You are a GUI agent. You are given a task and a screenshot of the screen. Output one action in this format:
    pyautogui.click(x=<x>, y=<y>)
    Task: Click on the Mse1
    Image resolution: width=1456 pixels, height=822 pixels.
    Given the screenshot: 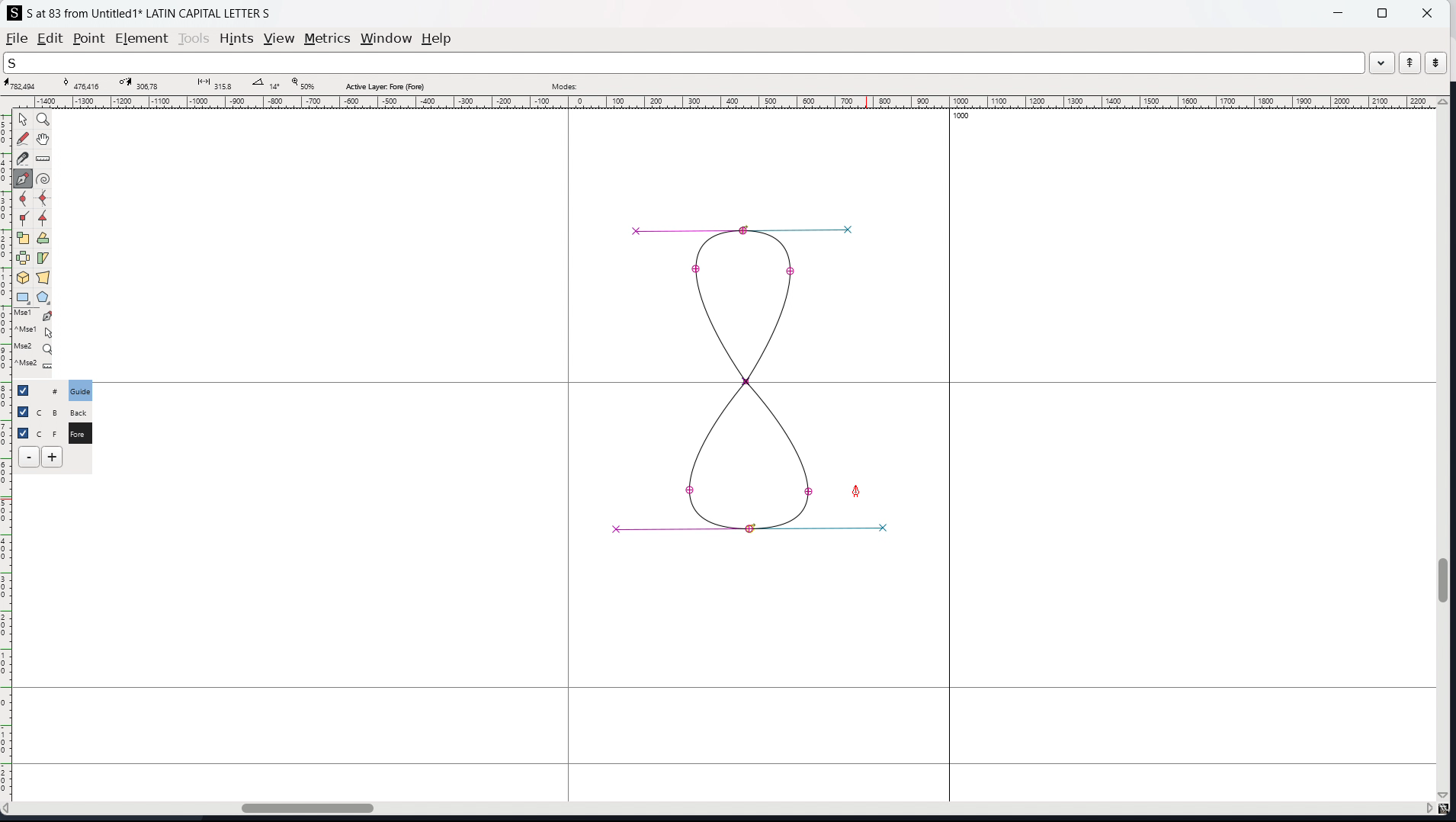 What is the action you would take?
    pyautogui.click(x=34, y=316)
    